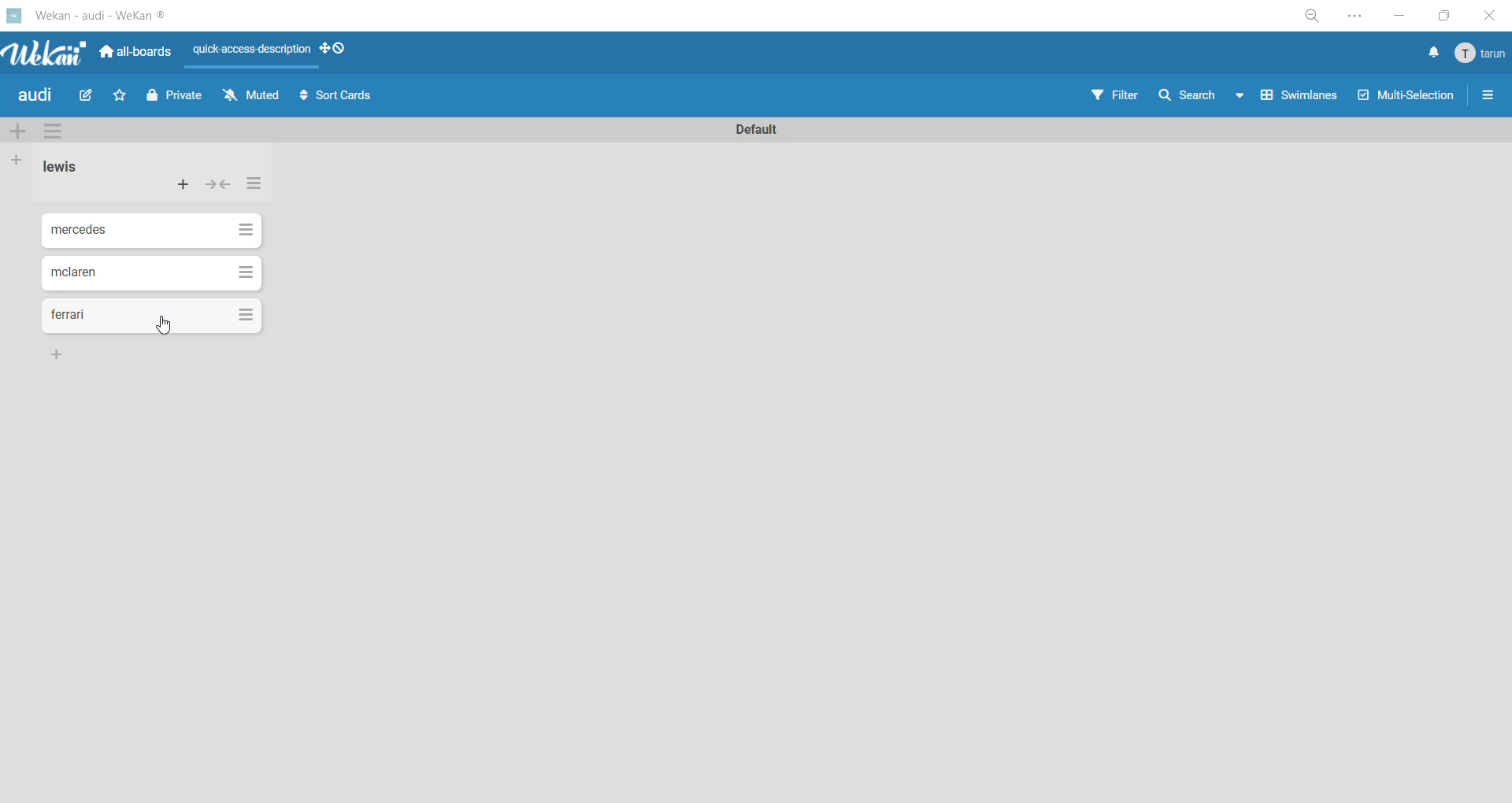 The height and width of the screenshot is (803, 1512). I want to click on sidebar, so click(1489, 98).